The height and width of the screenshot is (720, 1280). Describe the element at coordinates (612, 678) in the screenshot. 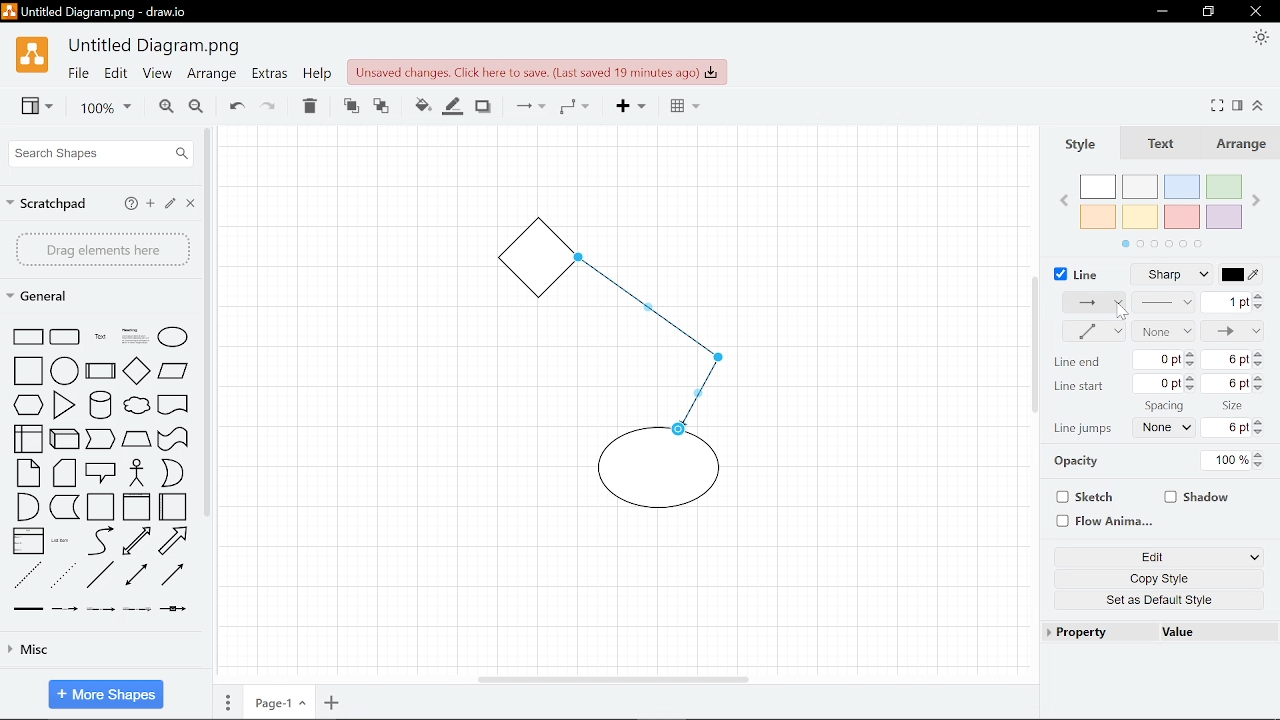

I see `horizontal scrolling bar` at that location.